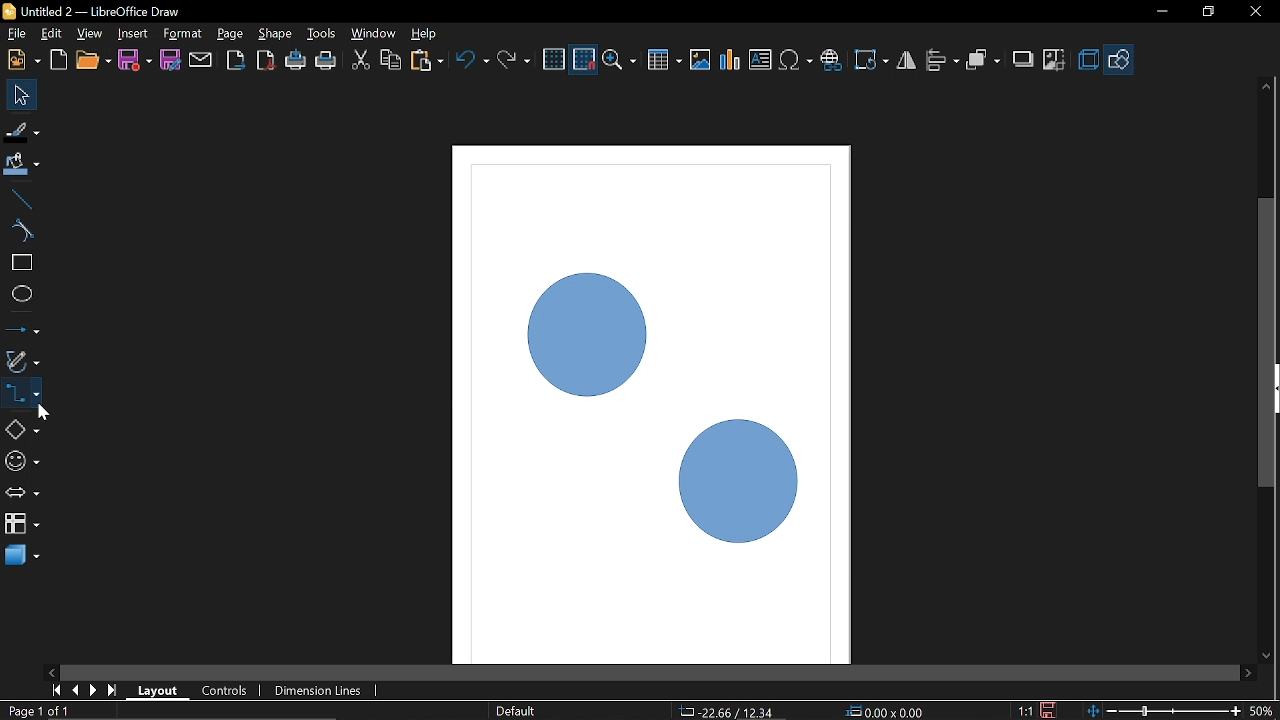 The width and height of the screenshot is (1280, 720). Describe the element at coordinates (1254, 13) in the screenshot. I see `Close` at that location.